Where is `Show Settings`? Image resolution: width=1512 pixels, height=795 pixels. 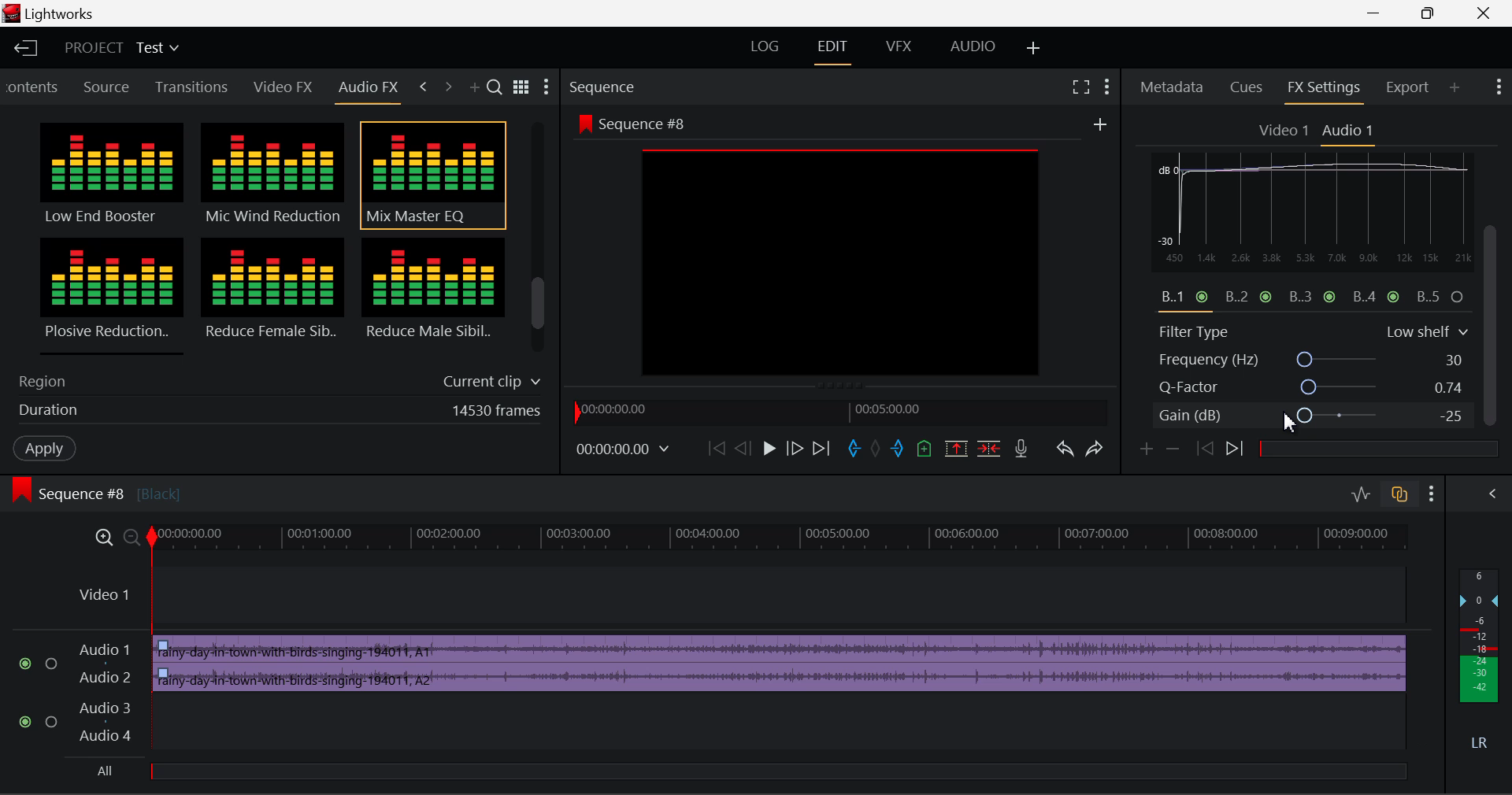 Show Settings is located at coordinates (1435, 494).